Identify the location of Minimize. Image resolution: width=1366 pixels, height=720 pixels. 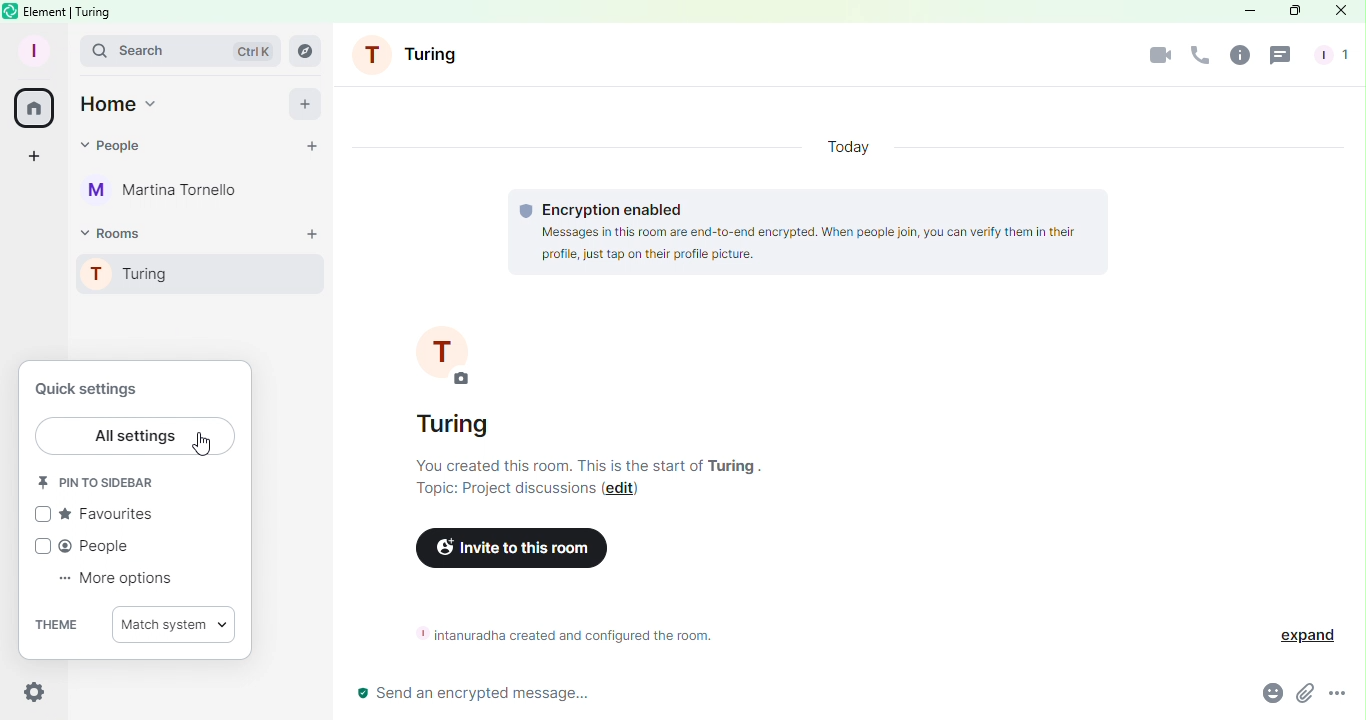
(1247, 10).